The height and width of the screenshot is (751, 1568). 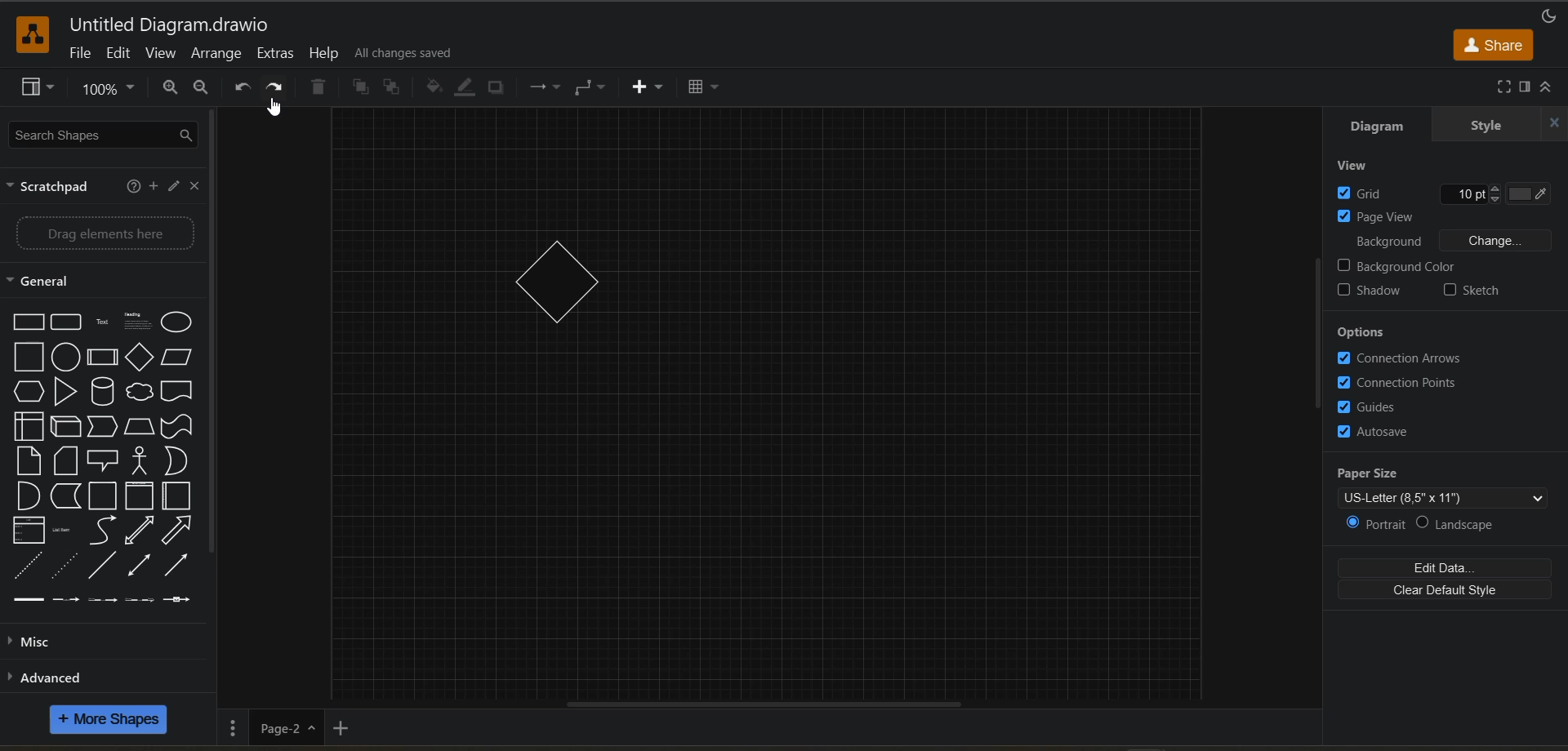 I want to click on line, so click(x=105, y=567).